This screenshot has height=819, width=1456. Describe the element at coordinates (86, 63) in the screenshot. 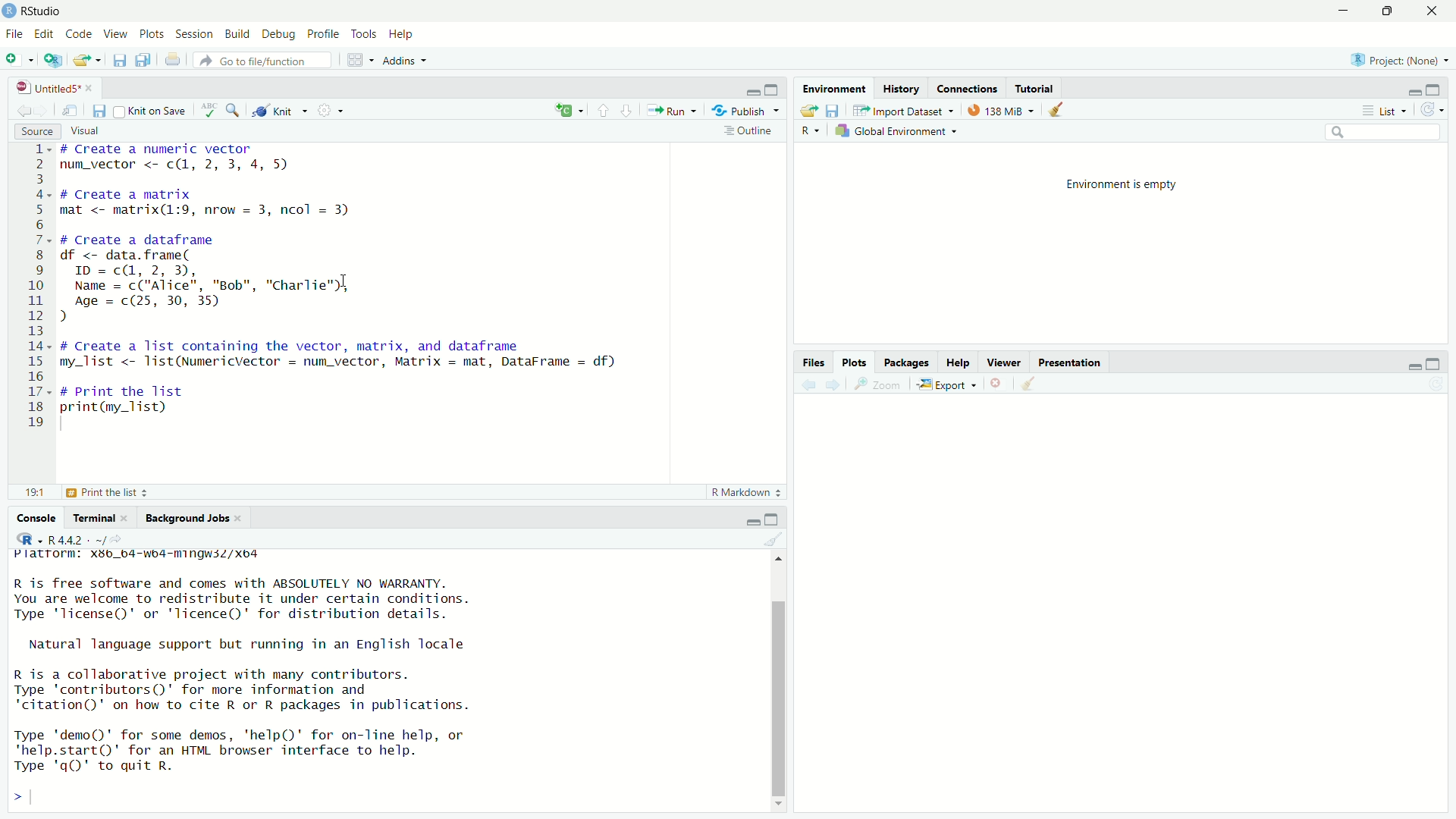

I see `export` at that location.